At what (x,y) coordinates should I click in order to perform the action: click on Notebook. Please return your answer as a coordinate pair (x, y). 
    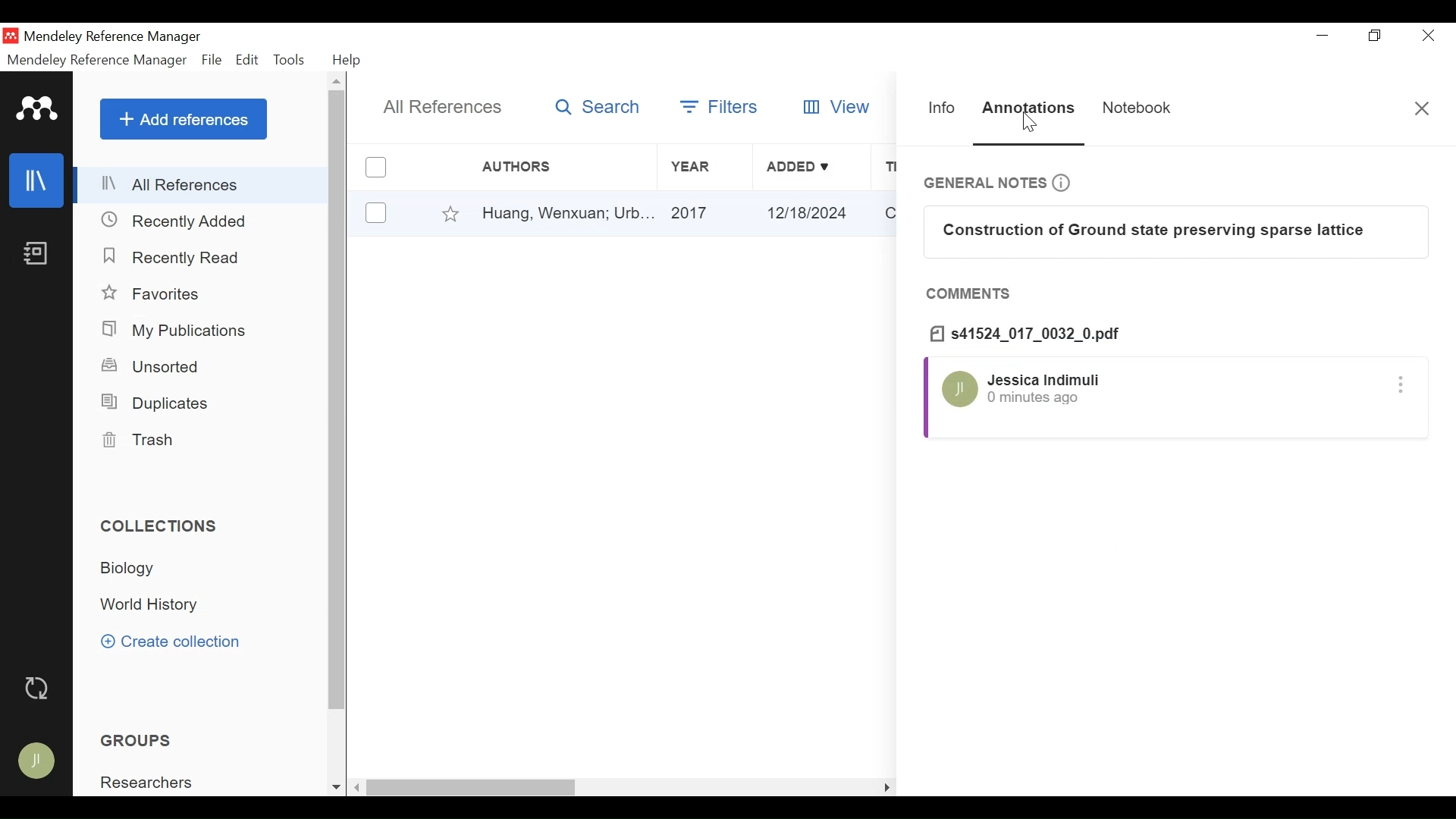
    Looking at the image, I should click on (37, 254).